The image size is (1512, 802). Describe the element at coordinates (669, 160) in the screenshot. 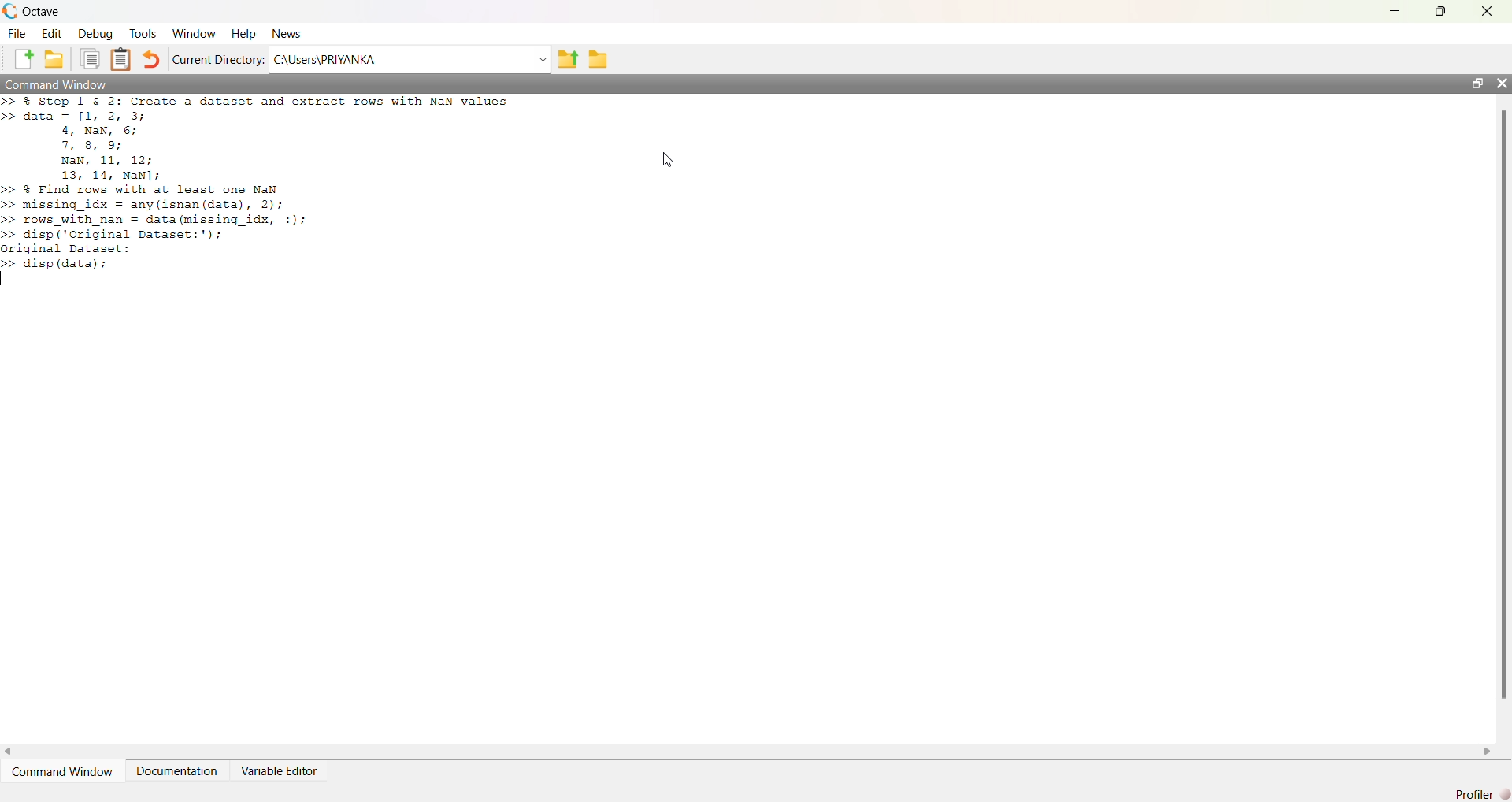

I see `cursor` at that location.